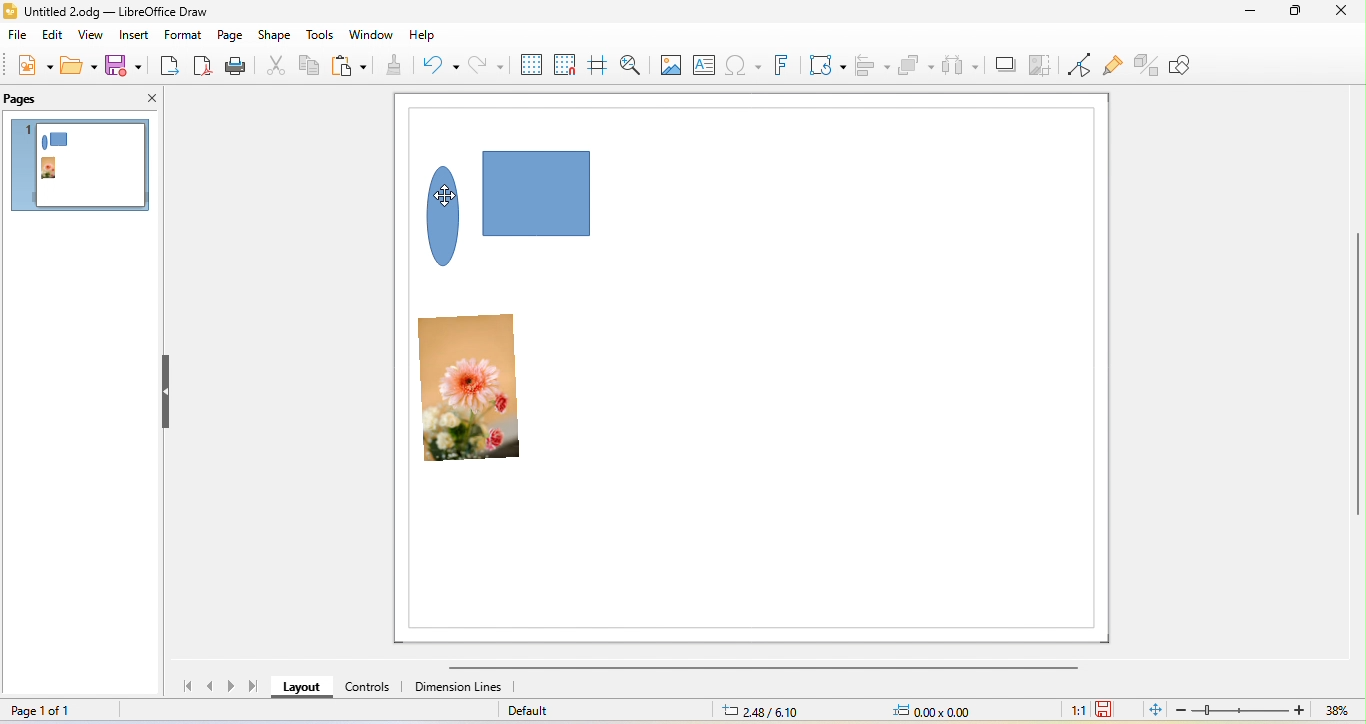 The height and width of the screenshot is (724, 1366). Describe the element at coordinates (119, 11) in the screenshot. I see `Untitled 2.odg - LibreOffice Draw` at that location.